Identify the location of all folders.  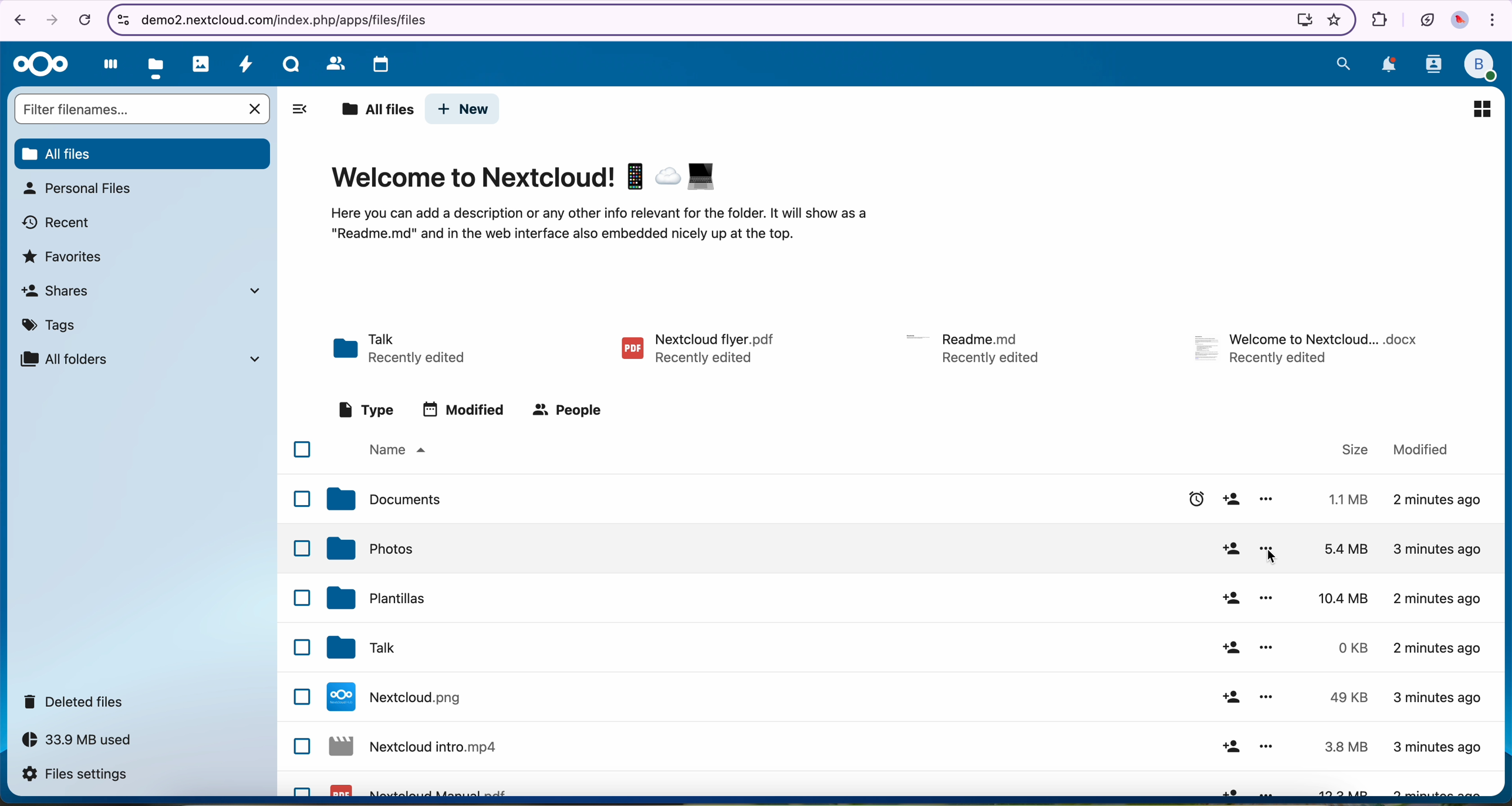
(146, 358).